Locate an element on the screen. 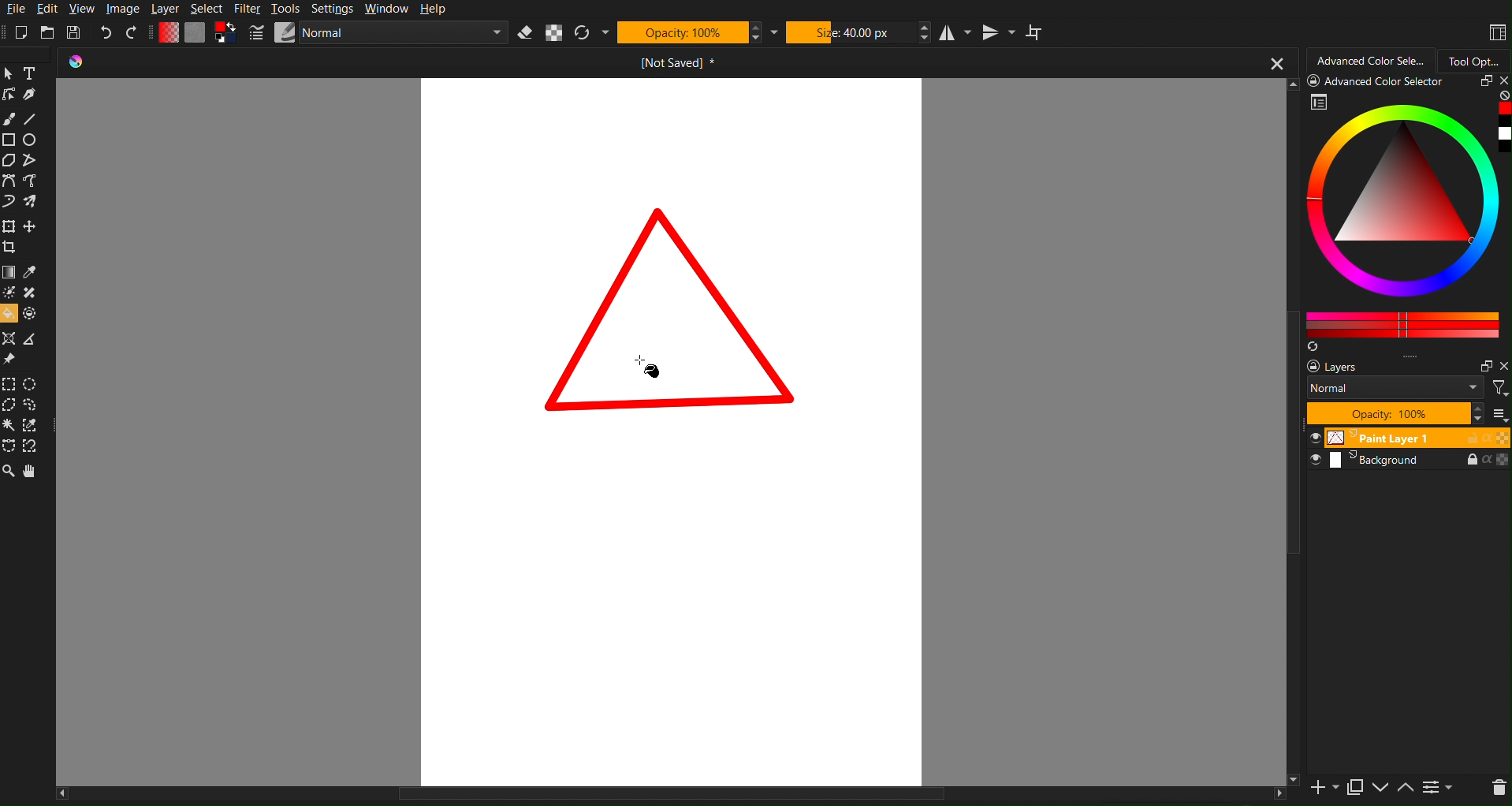  New is located at coordinates (21, 32).